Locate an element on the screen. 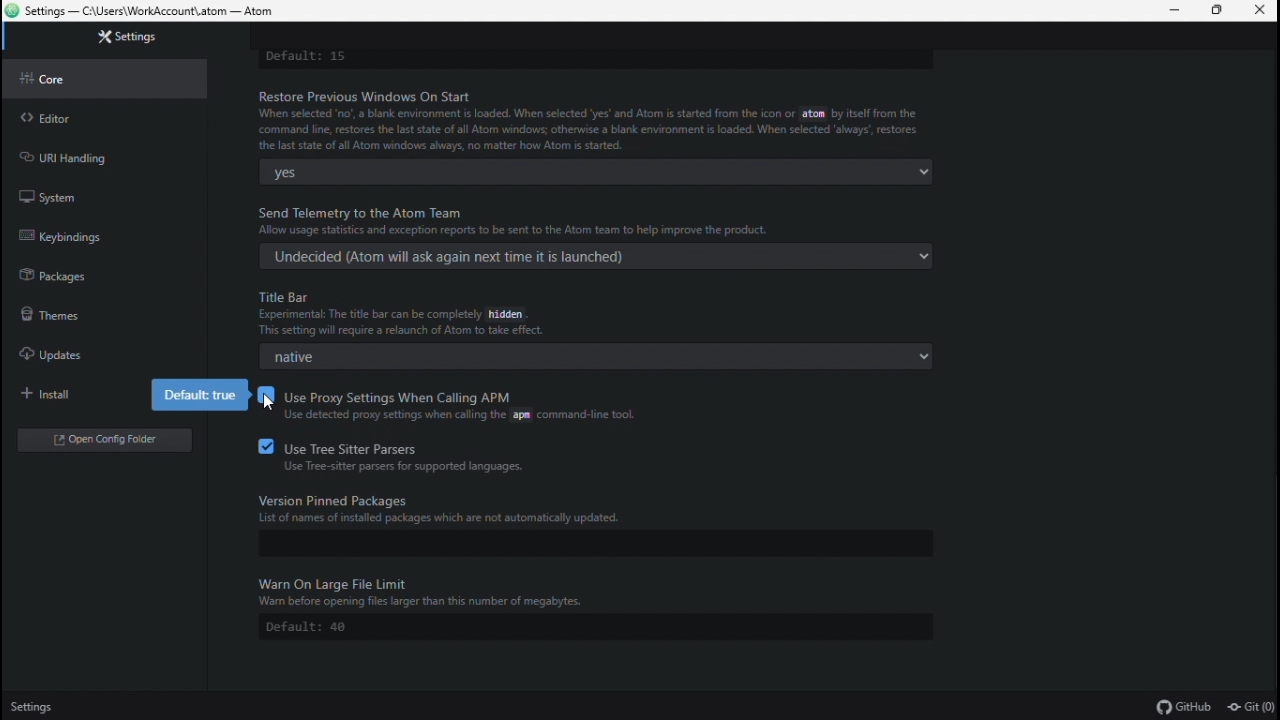 This screenshot has height=720, width=1280. textbox is located at coordinates (573, 544).